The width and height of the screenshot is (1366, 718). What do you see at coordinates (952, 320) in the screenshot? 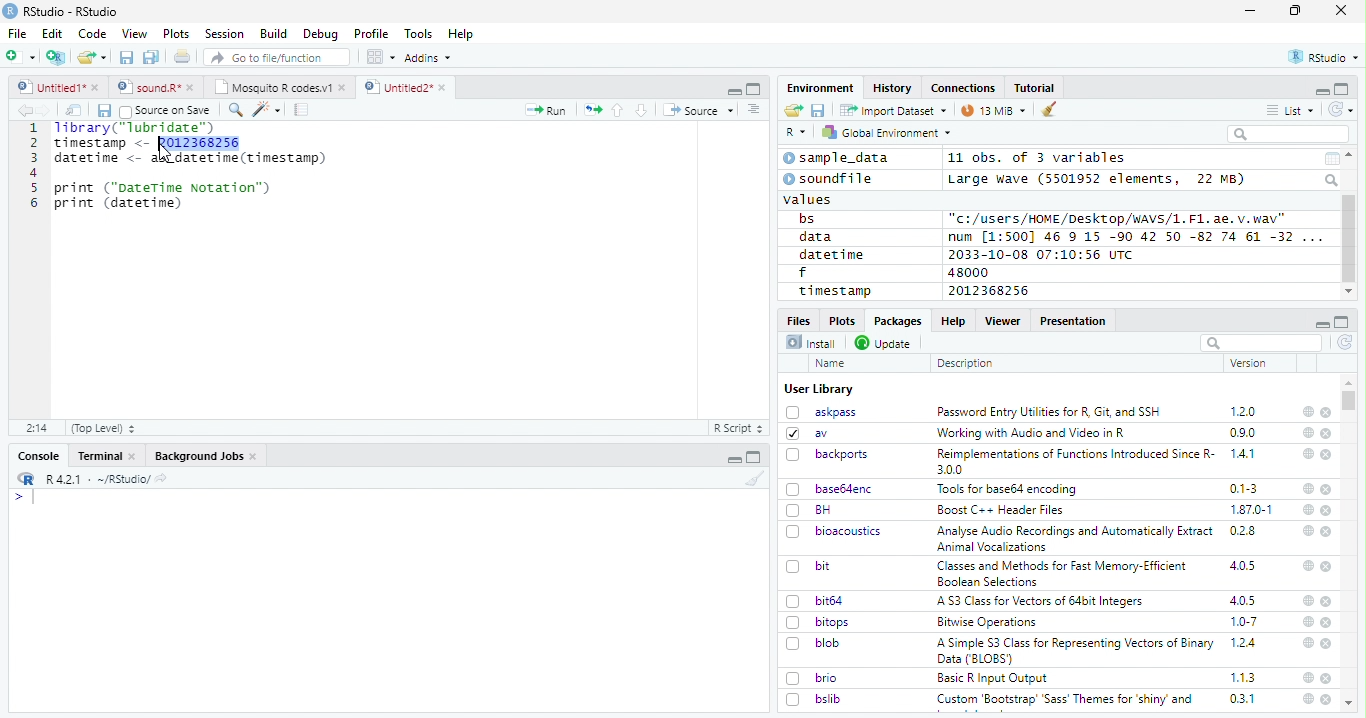
I see `Help` at bounding box center [952, 320].